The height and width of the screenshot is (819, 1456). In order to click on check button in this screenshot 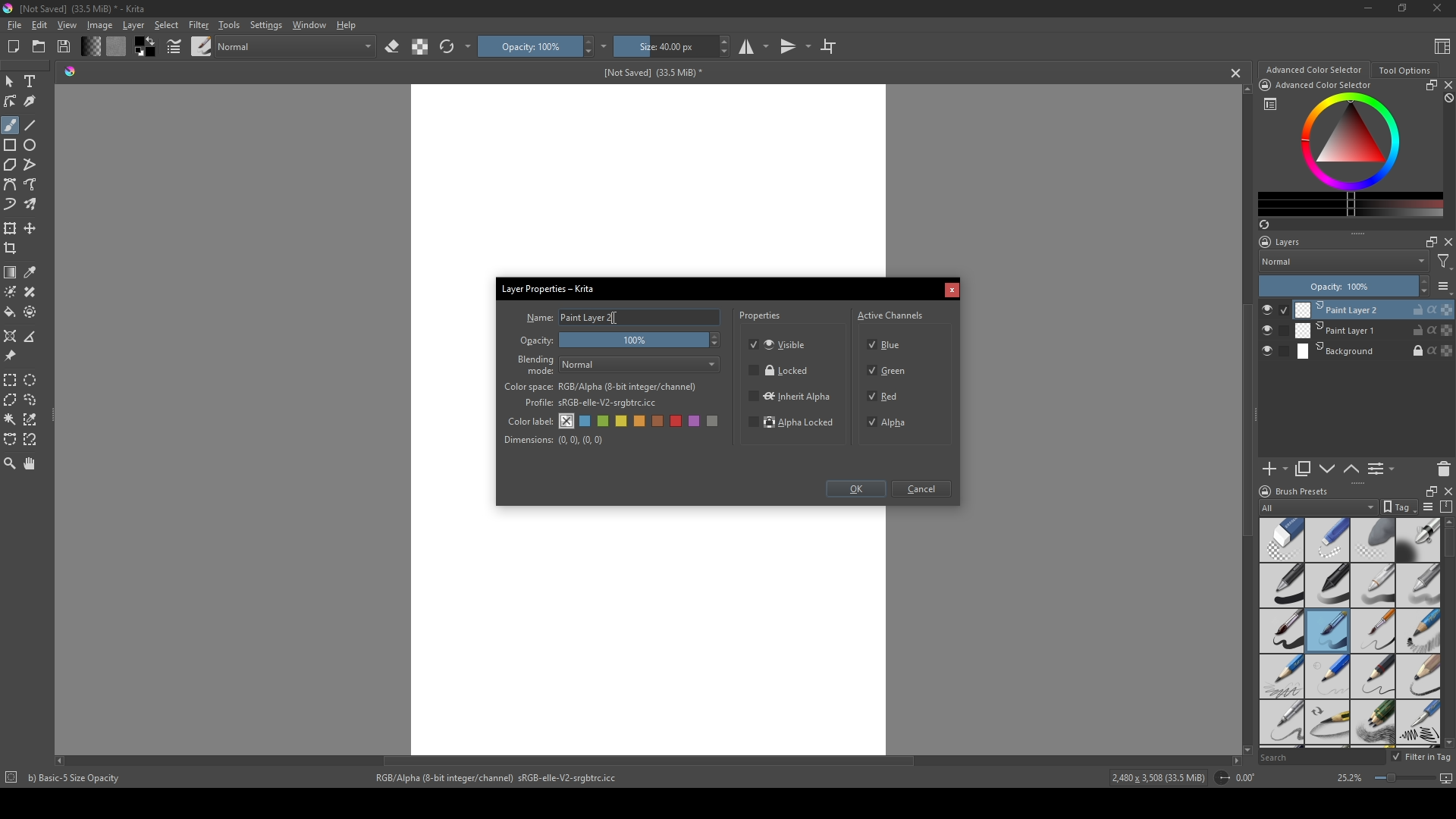, I will do `click(1275, 331)`.